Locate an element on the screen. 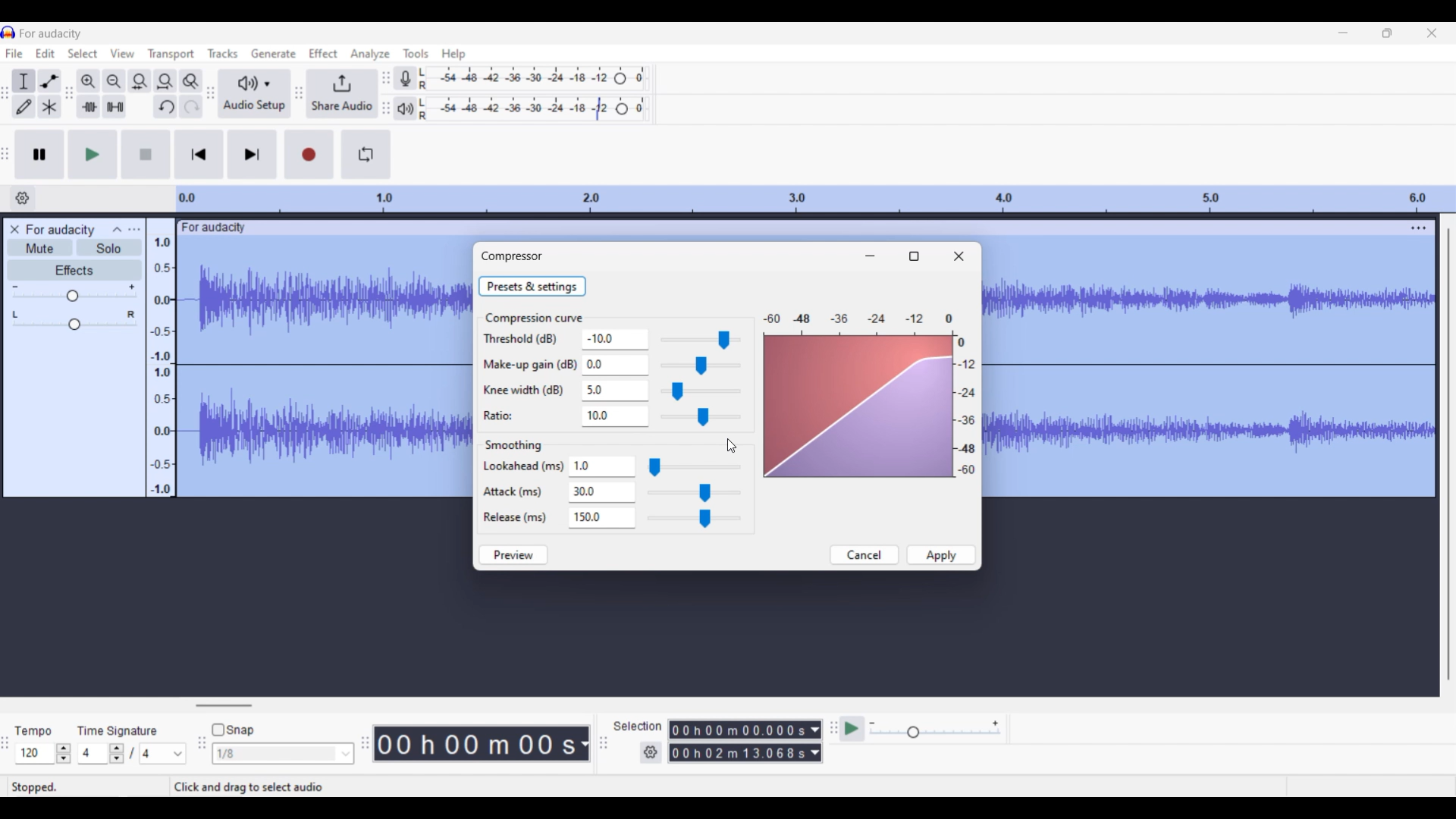  Attack slider is located at coordinates (693, 492).